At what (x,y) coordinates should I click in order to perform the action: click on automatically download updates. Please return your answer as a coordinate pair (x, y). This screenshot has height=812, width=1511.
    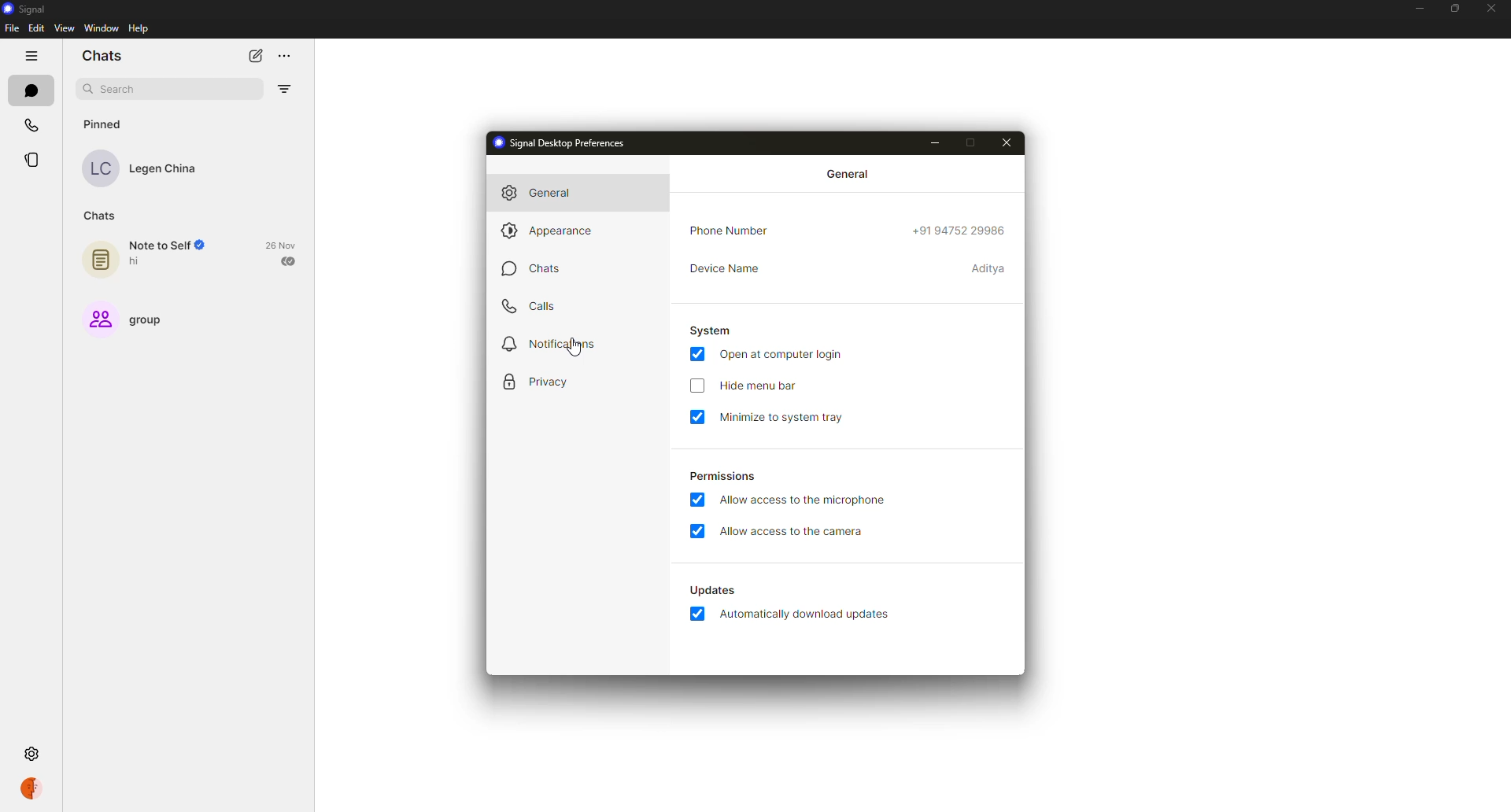
    Looking at the image, I should click on (715, 590).